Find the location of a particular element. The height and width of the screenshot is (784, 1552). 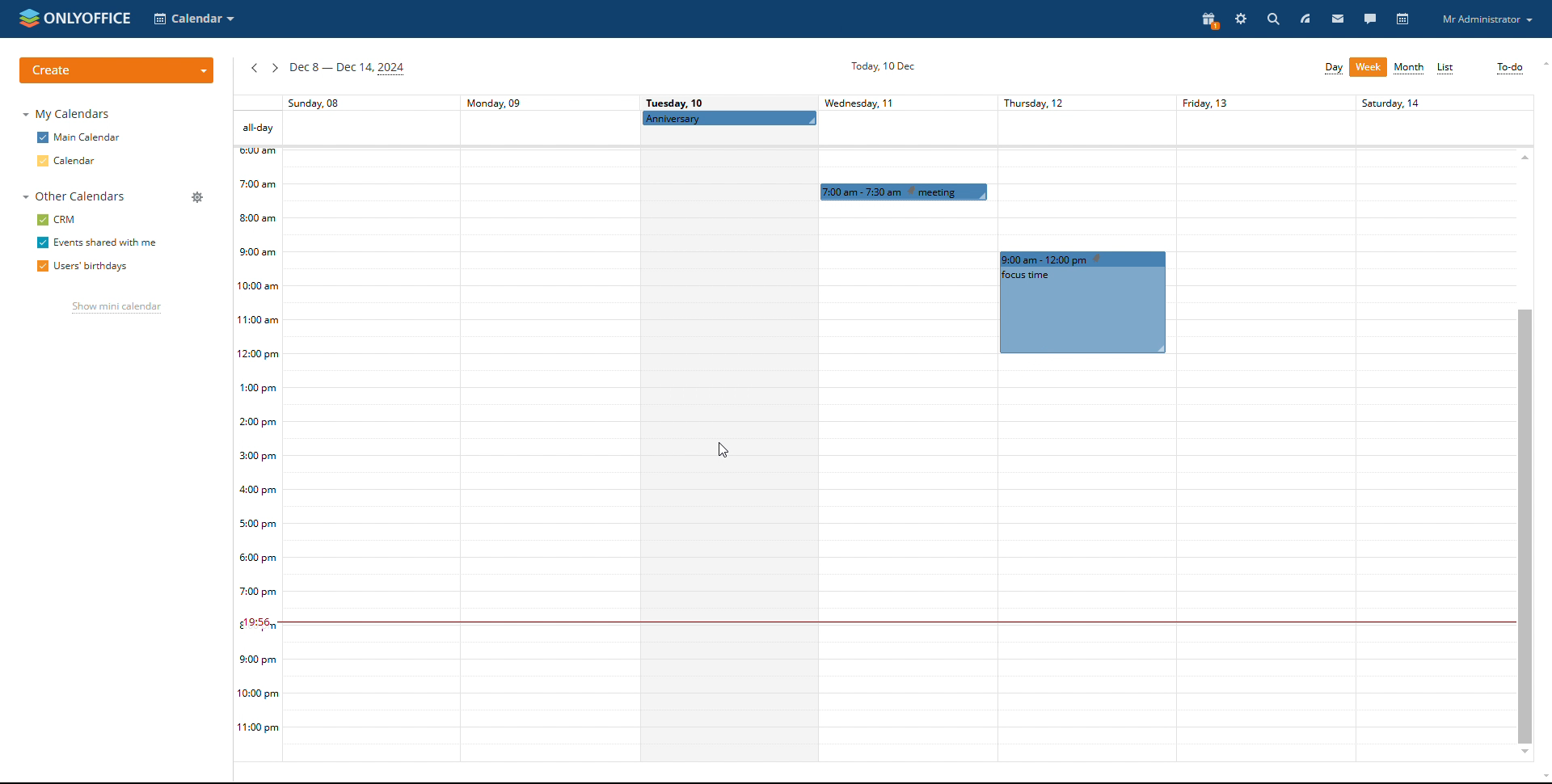

scroll down is located at coordinates (1525, 753).